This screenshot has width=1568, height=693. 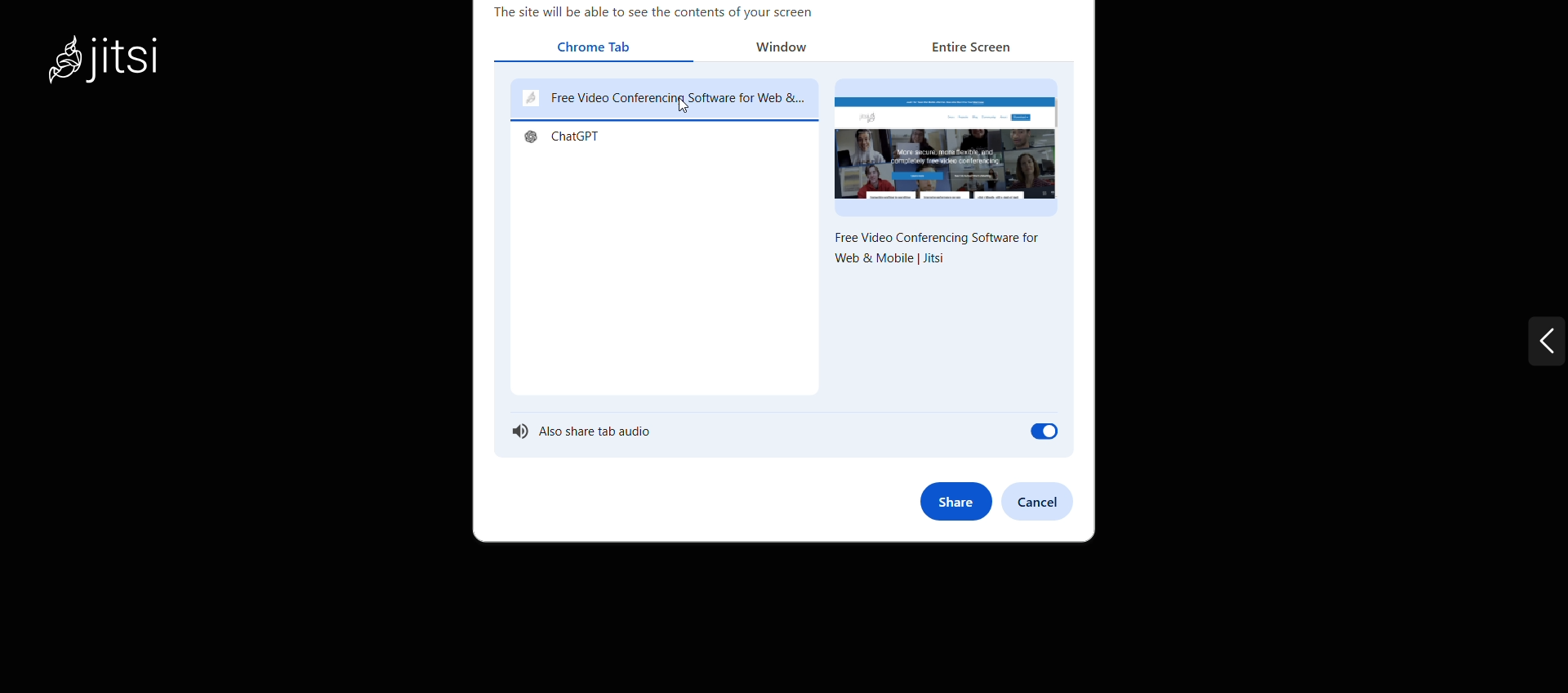 What do you see at coordinates (1515, 347) in the screenshot?
I see `expand` at bounding box center [1515, 347].